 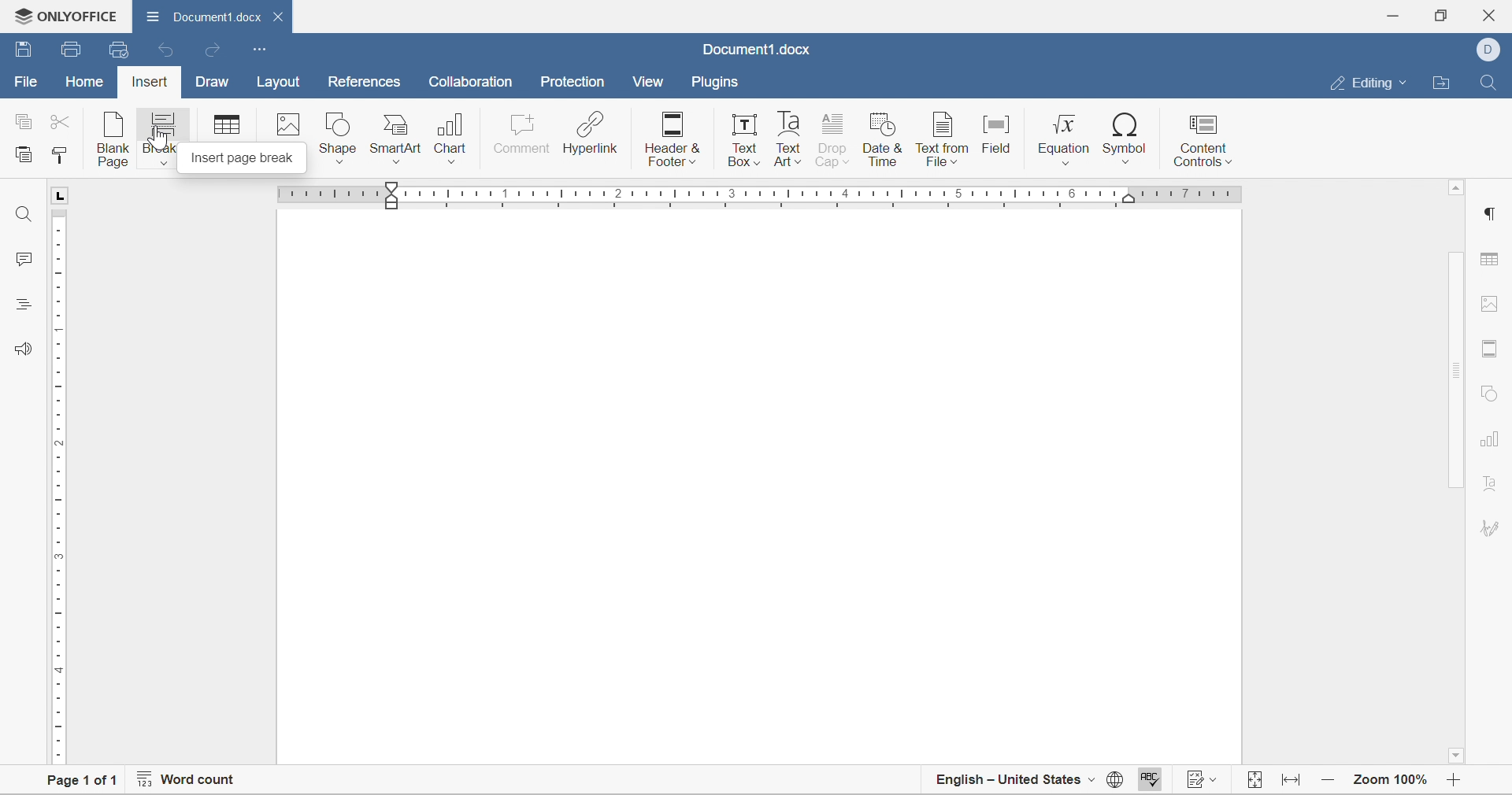 I want to click on View, so click(x=649, y=81).